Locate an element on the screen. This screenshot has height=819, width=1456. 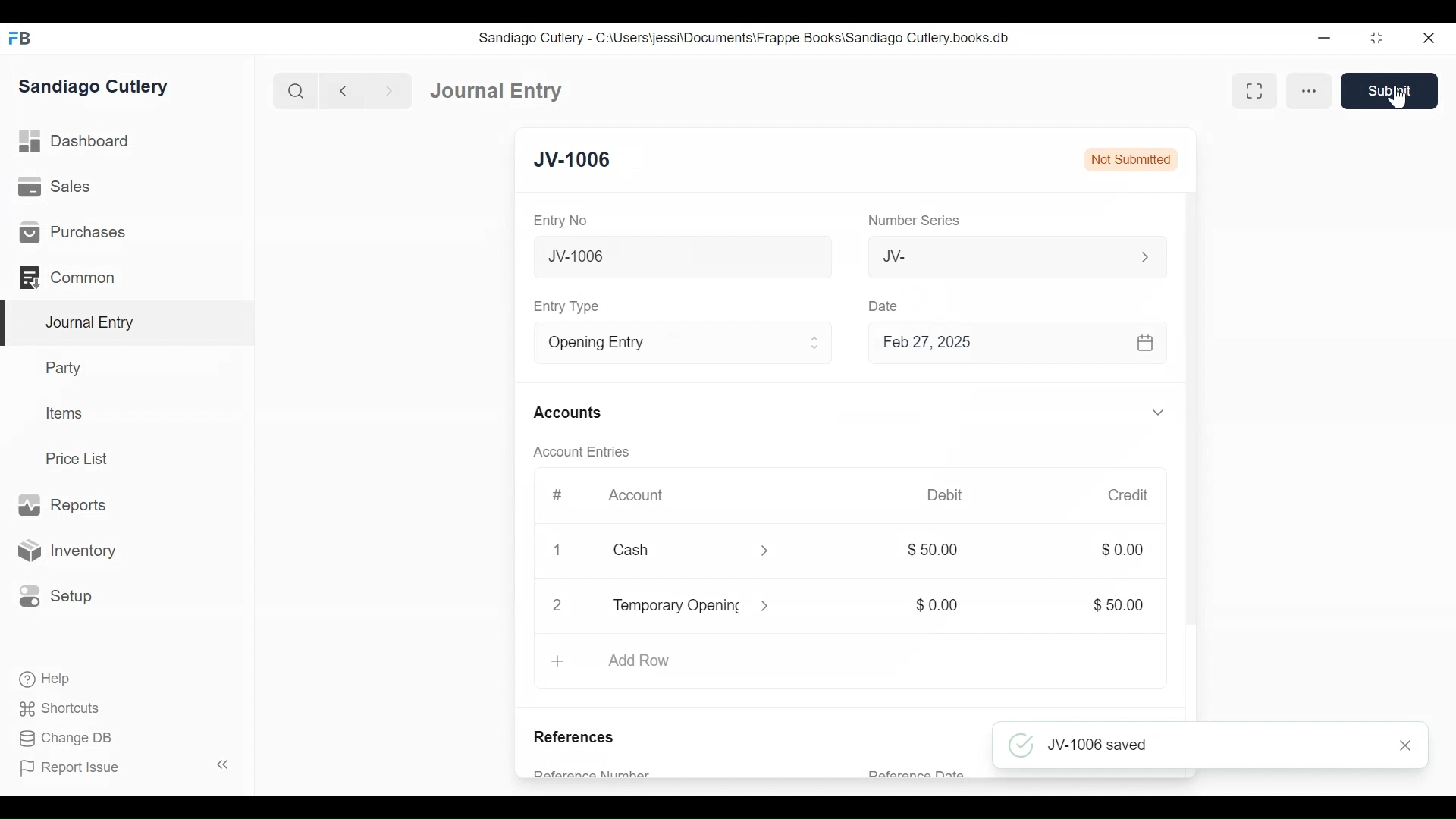
Help is located at coordinates (46, 679).